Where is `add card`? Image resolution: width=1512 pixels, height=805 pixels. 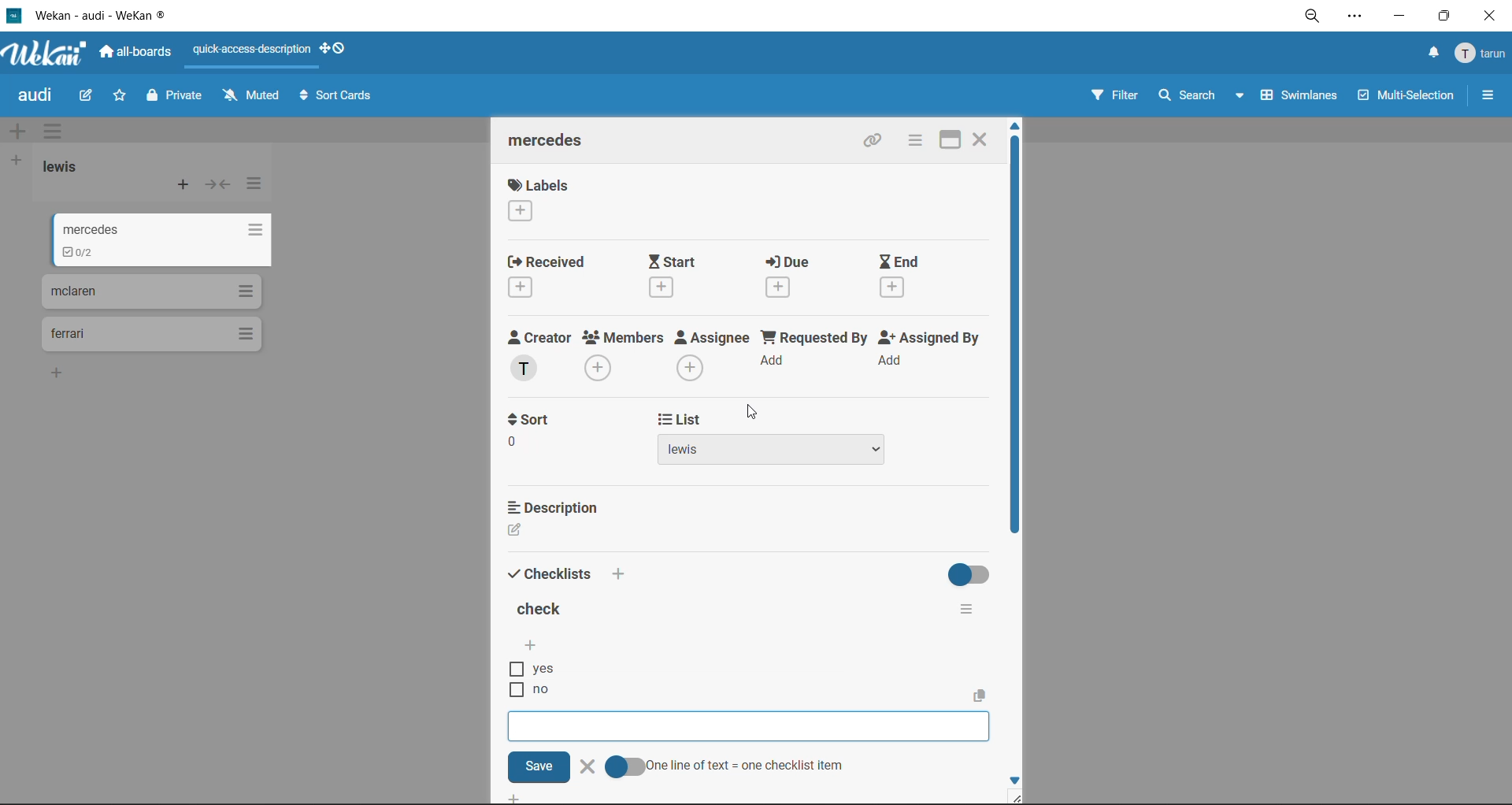
add card is located at coordinates (184, 188).